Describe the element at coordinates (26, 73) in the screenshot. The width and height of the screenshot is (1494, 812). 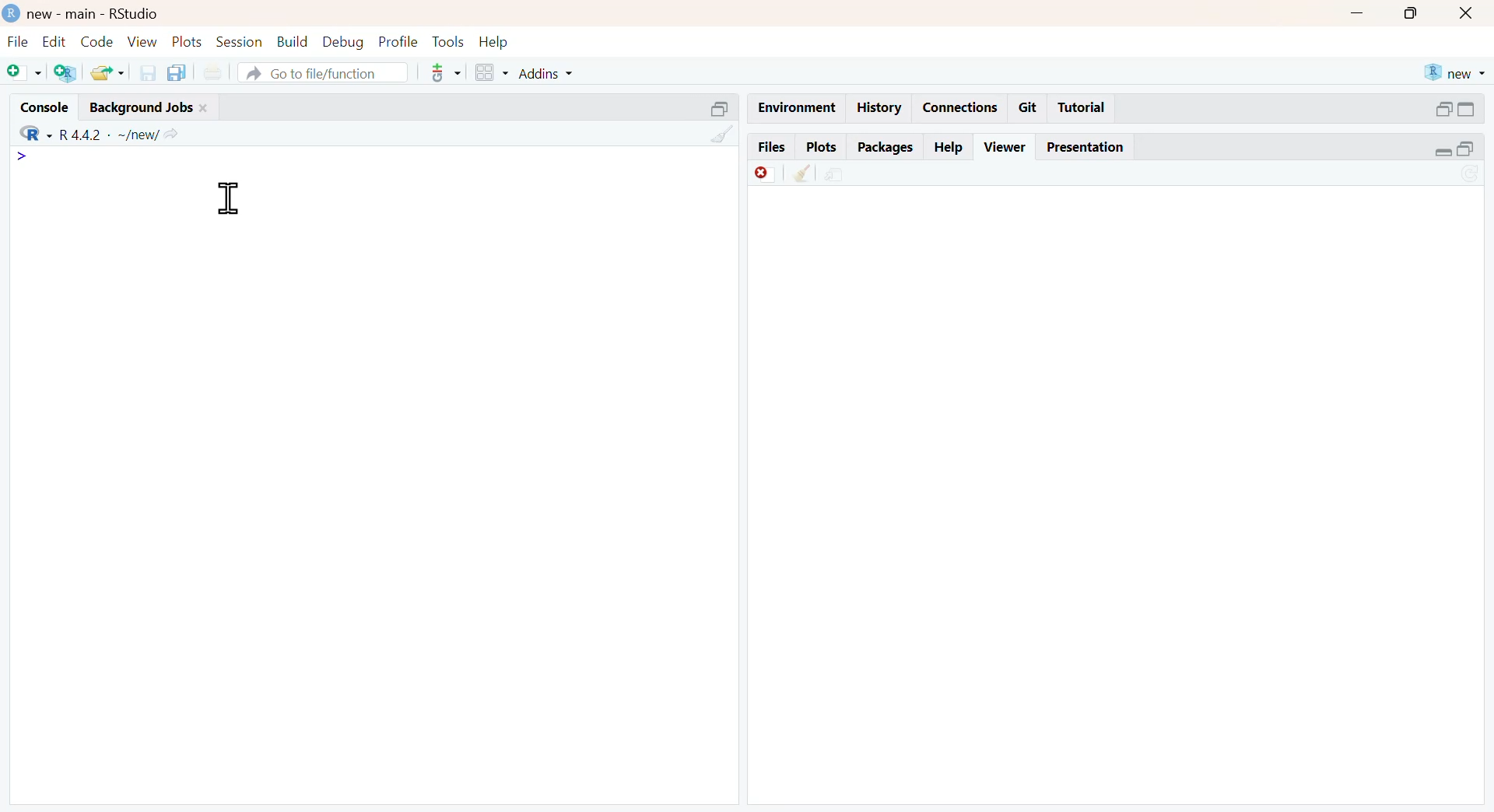
I see `add file as` at that location.